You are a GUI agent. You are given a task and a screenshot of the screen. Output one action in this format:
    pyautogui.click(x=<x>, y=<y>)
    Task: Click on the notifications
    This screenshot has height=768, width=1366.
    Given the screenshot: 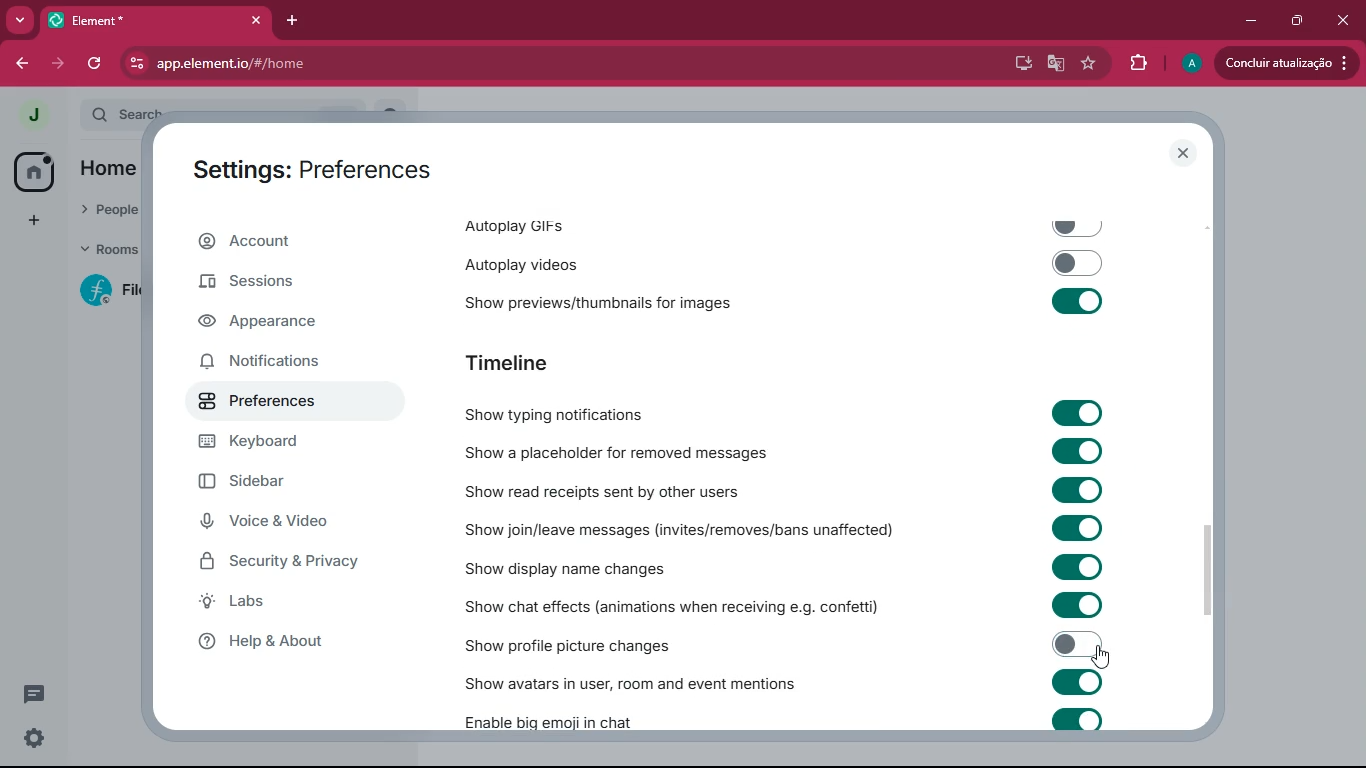 What is the action you would take?
    pyautogui.click(x=281, y=366)
    